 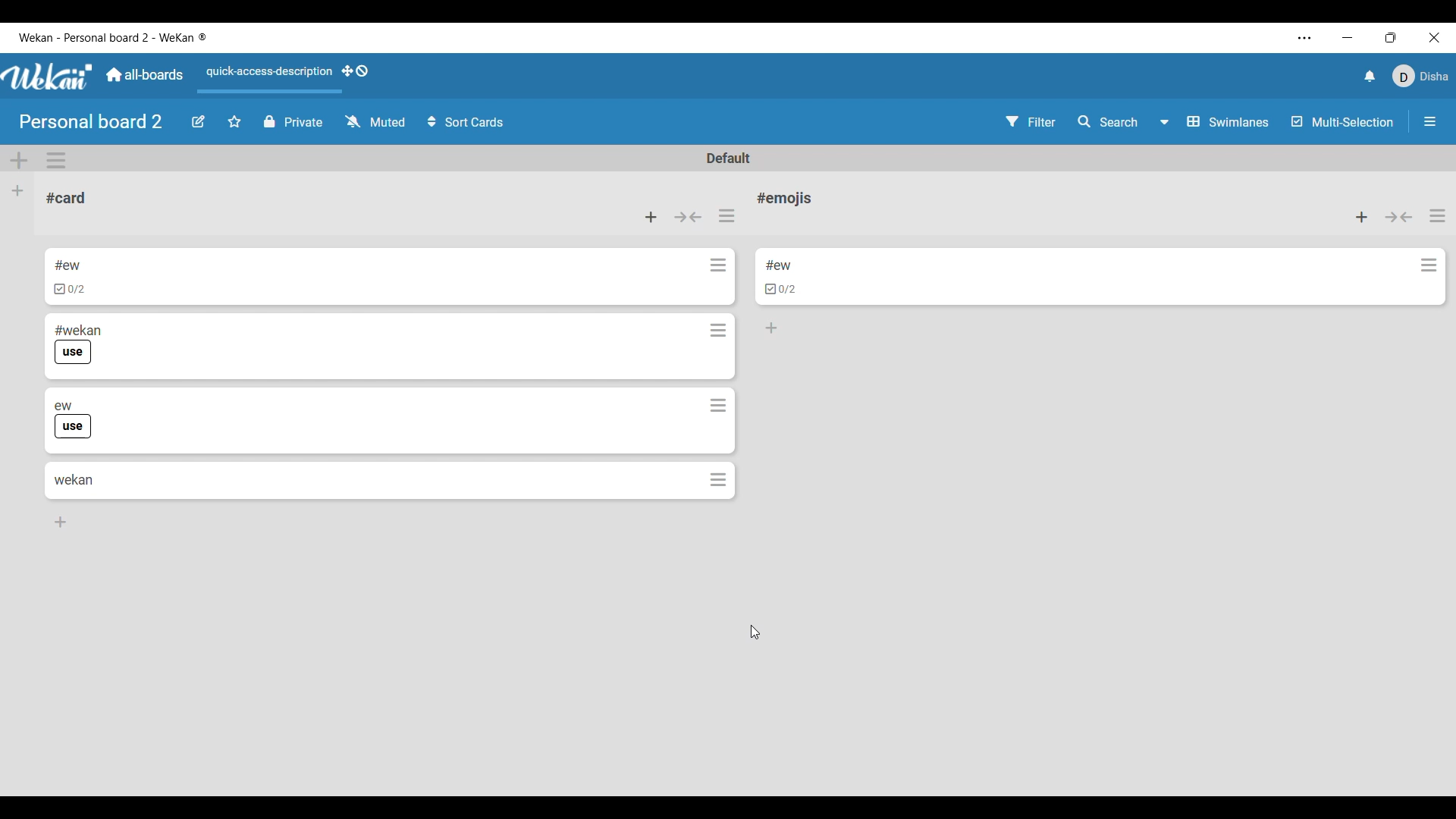 What do you see at coordinates (715, 477) in the screenshot?
I see `Card actions ` at bounding box center [715, 477].